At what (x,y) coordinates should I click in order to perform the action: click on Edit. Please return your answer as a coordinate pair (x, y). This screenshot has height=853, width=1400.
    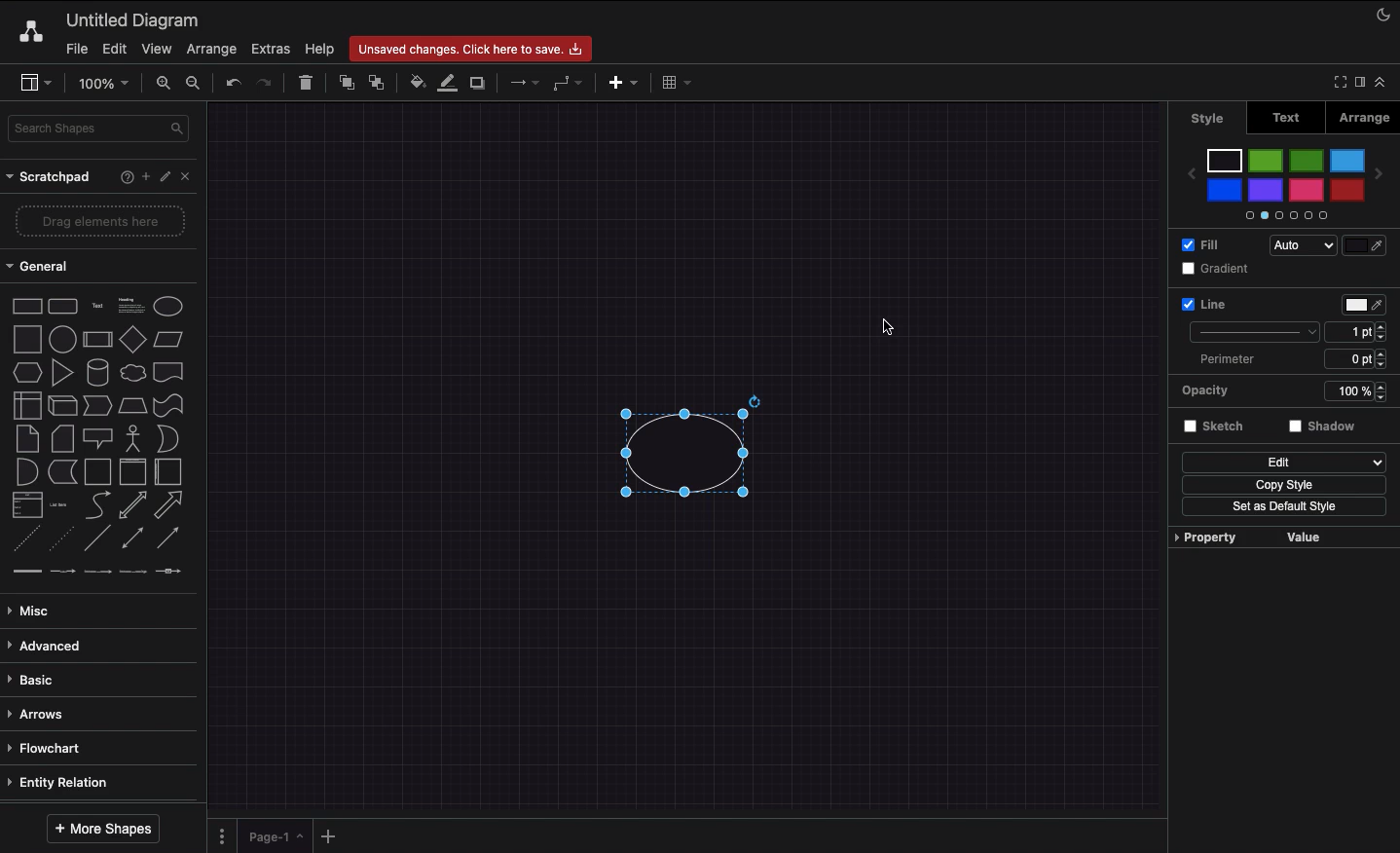
    Looking at the image, I should click on (112, 49).